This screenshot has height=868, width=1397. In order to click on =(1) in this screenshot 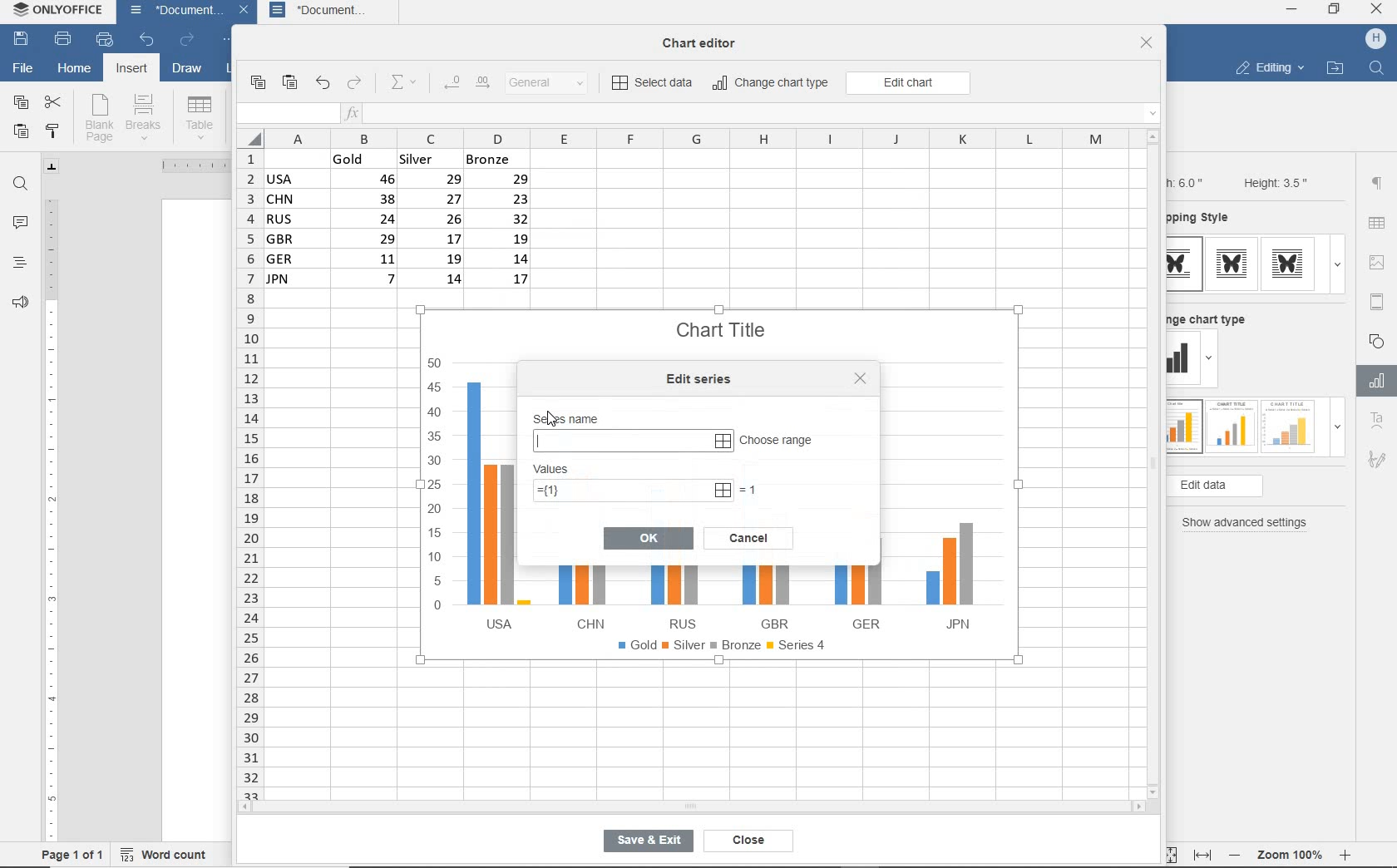, I will do `click(634, 491)`.